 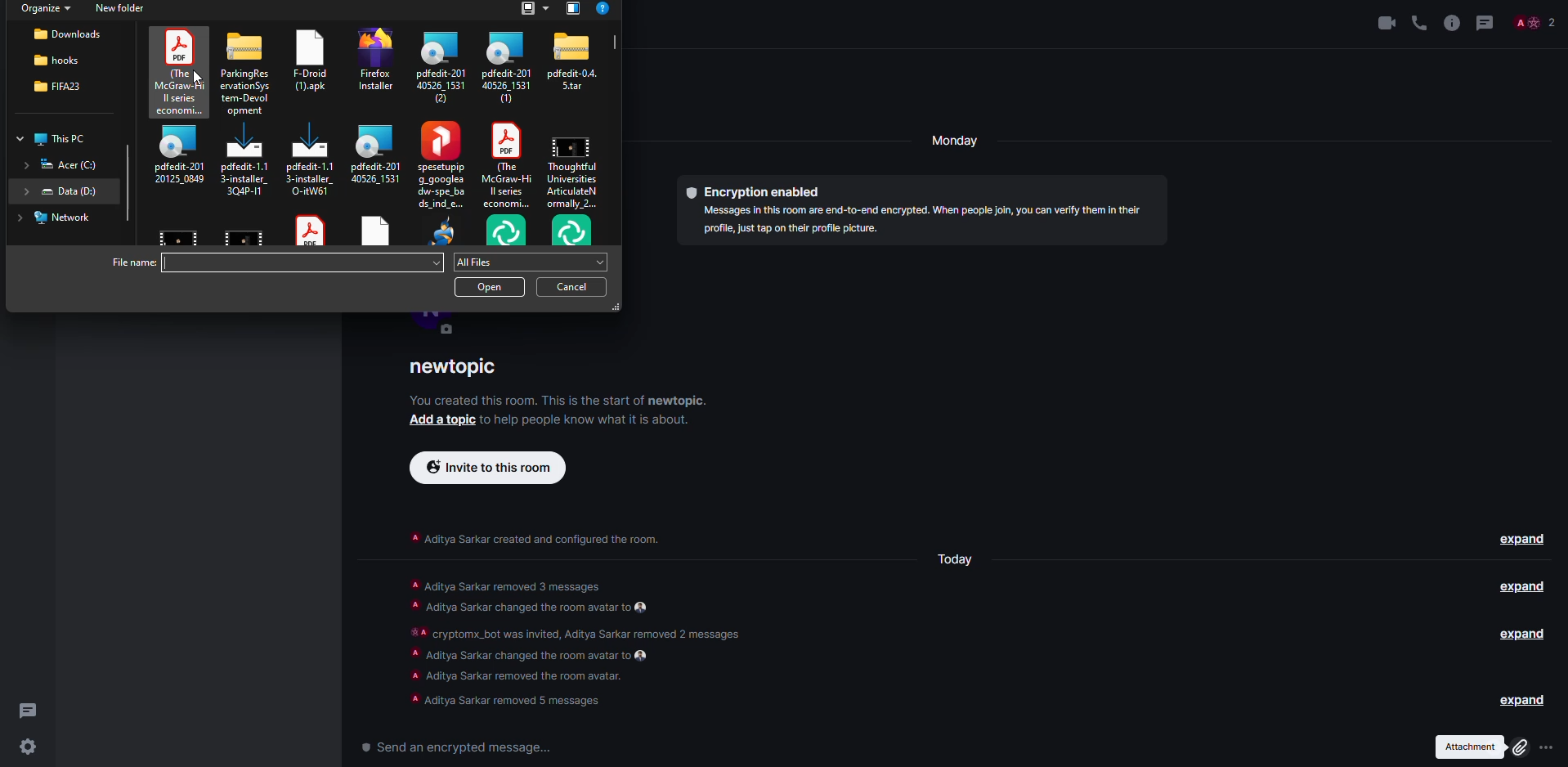 I want to click on file, so click(x=571, y=62).